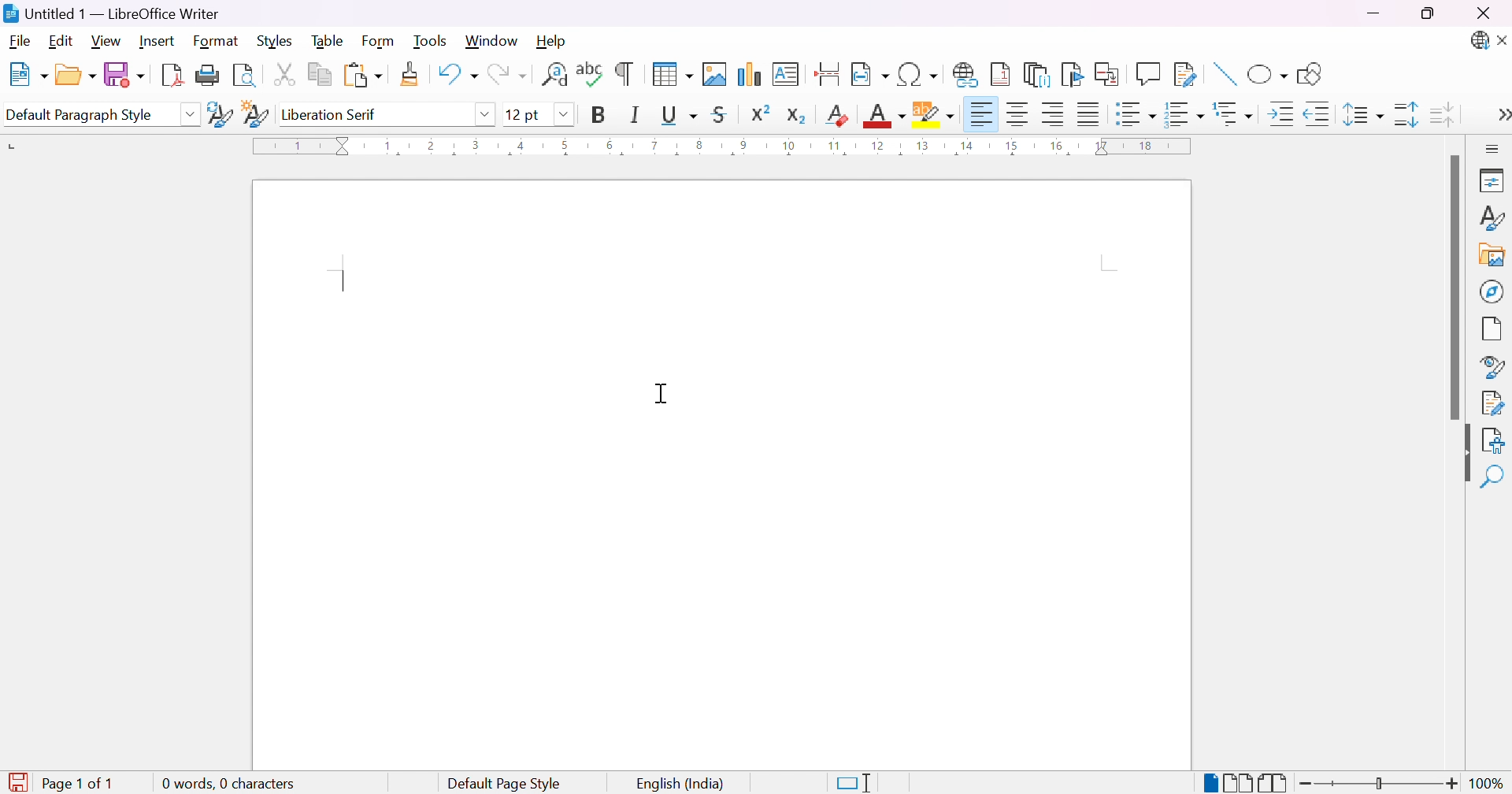  I want to click on Update selected style, so click(220, 114).